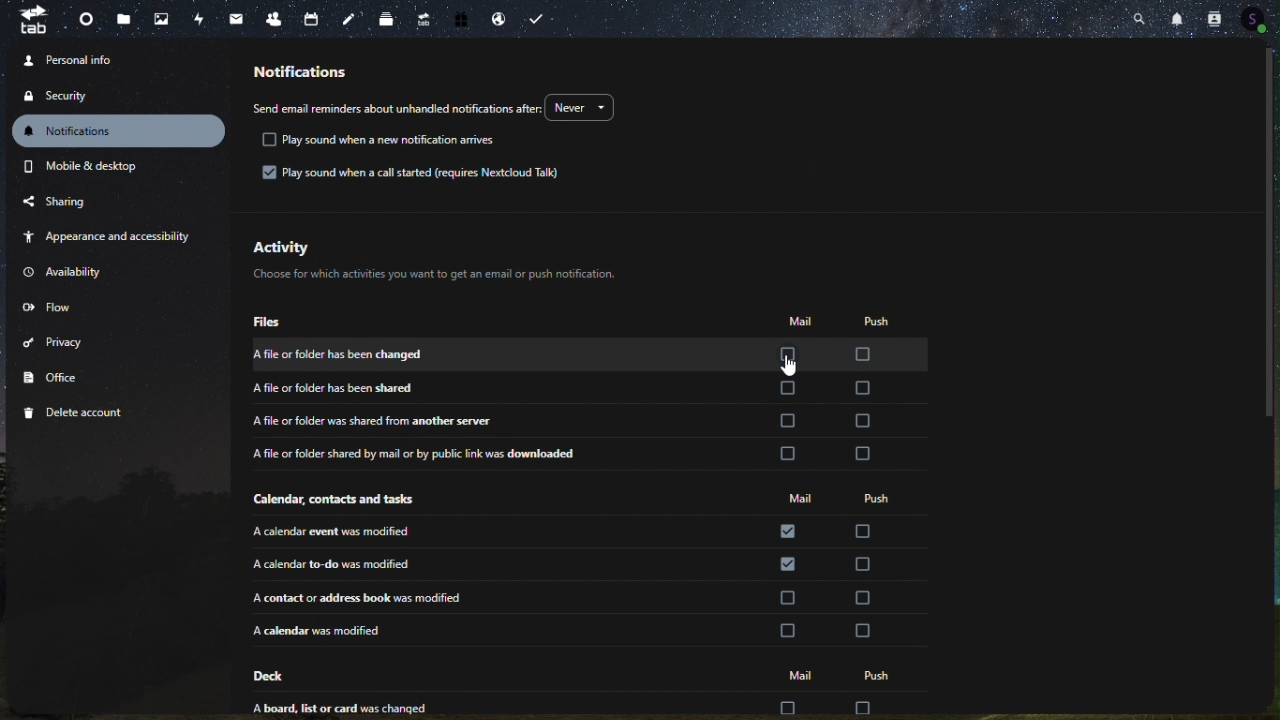 The height and width of the screenshot is (720, 1280). I want to click on notification, so click(299, 72).